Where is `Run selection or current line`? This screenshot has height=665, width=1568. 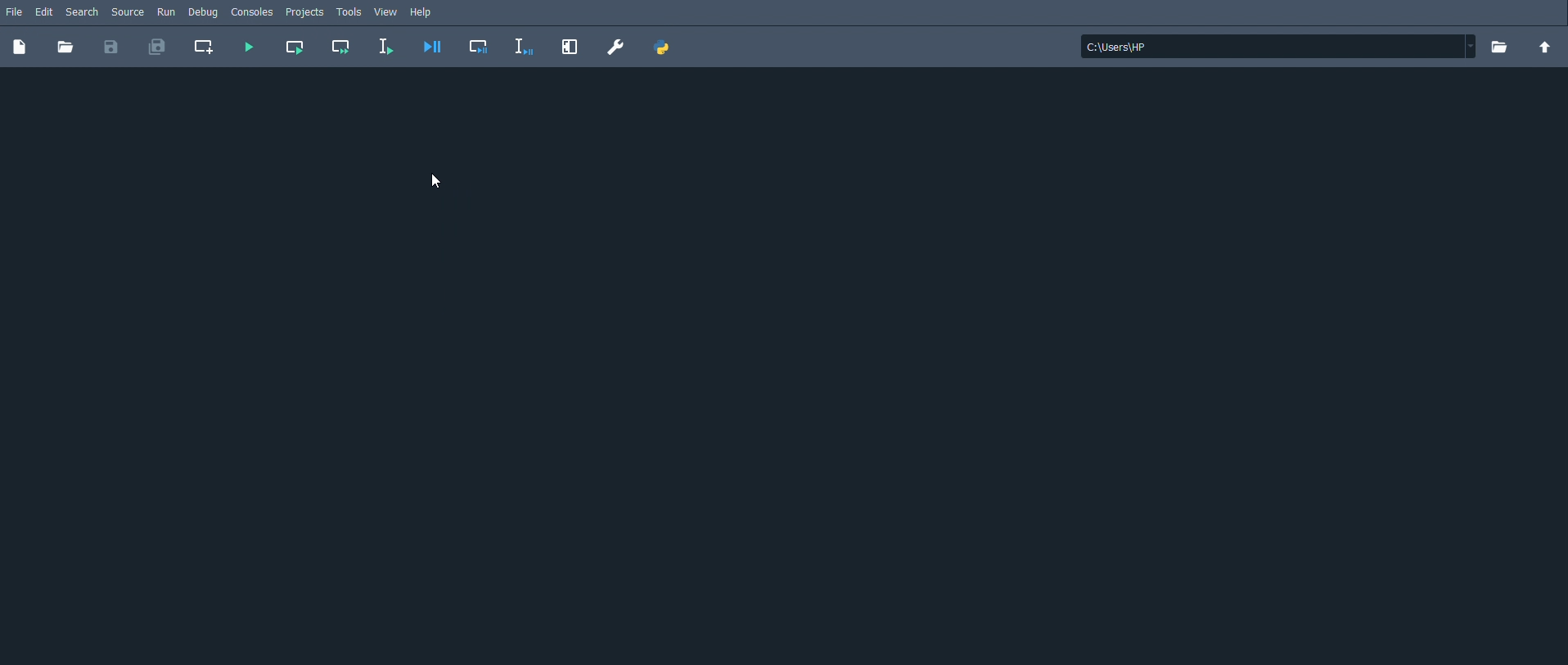 Run selection or current line is located at coordinates (385, 47).